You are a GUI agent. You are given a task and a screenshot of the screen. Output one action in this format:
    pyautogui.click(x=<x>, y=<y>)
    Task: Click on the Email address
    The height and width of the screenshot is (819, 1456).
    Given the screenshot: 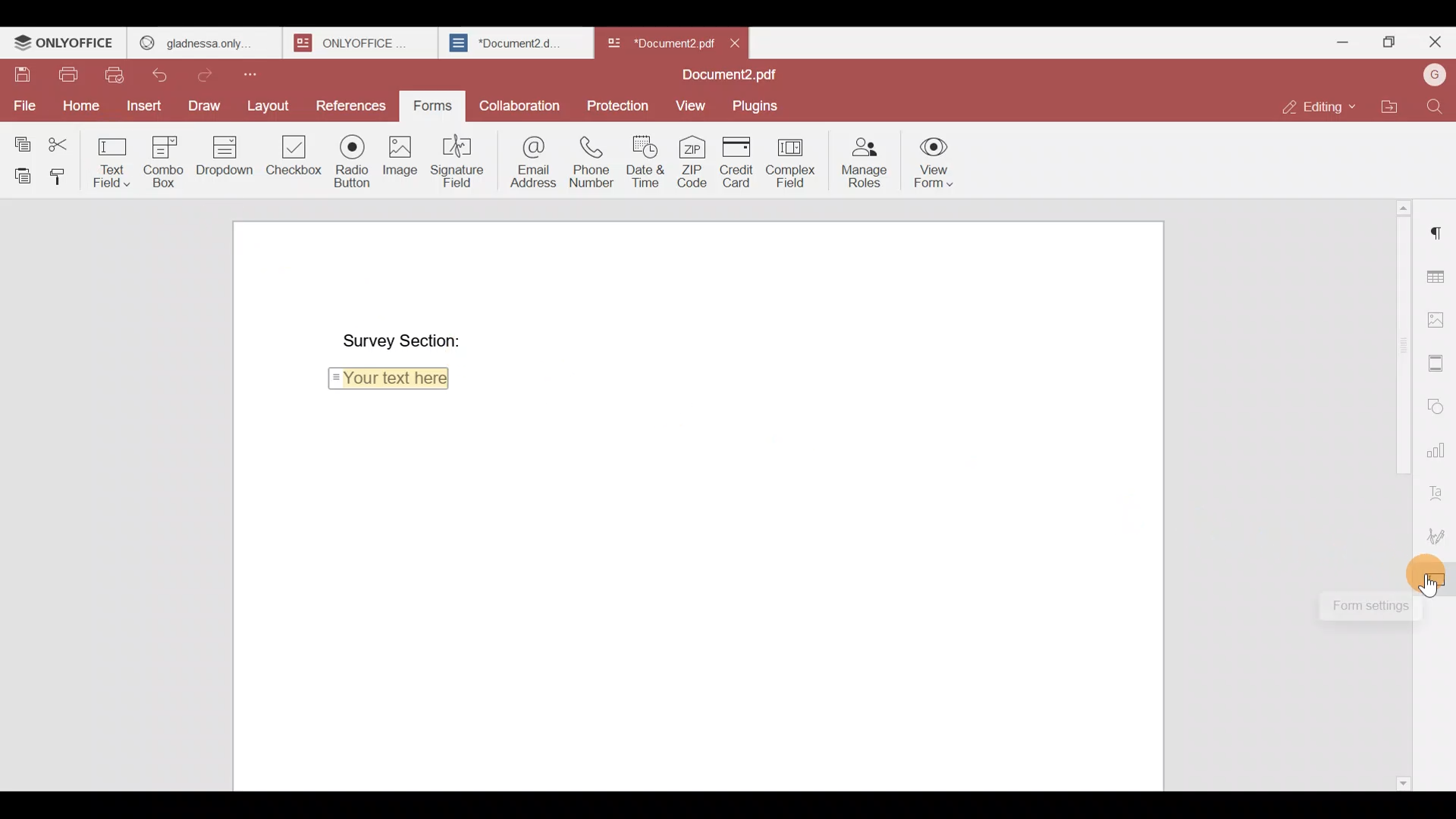 What is the action you would take?
    pyautogui.click(x=531, y=160)
    